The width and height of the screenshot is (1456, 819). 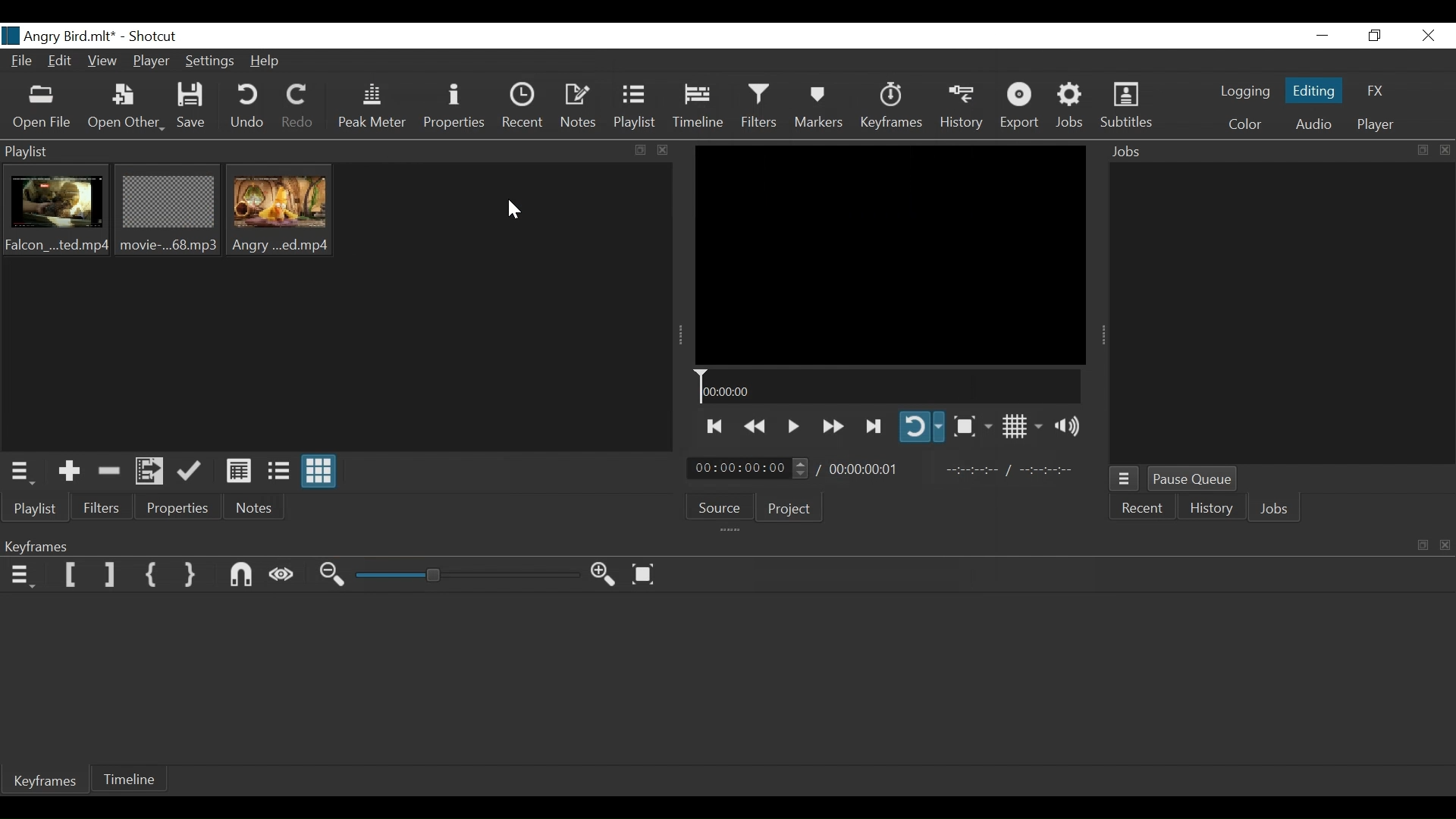 What do you see at coordinates (1023, 425) in the screenshot?
I see `Show display grid on player` at bounding box center [1023, 425].